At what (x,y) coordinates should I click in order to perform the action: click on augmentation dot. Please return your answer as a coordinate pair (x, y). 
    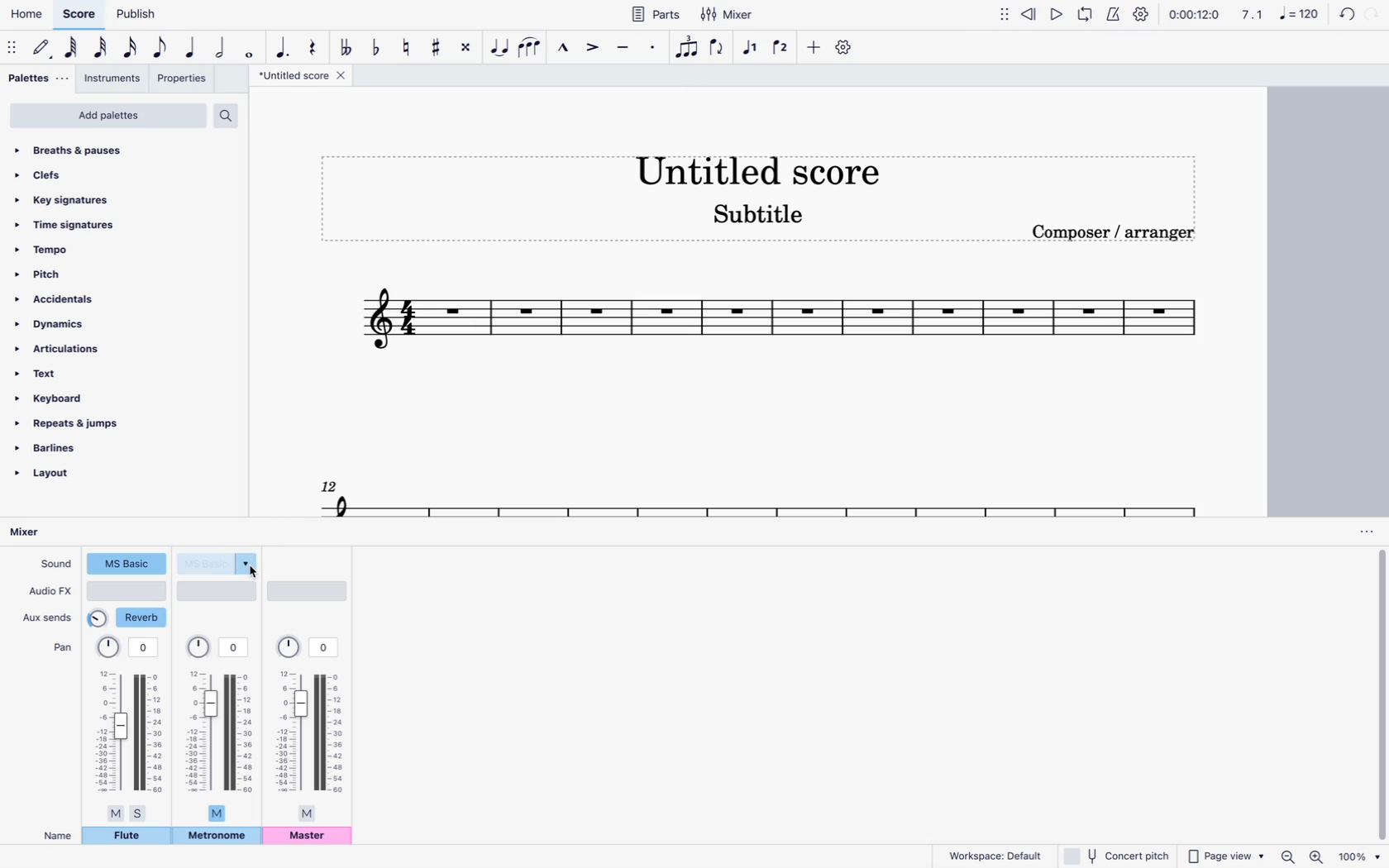
    Looking at the image, I should click on (281, 43).